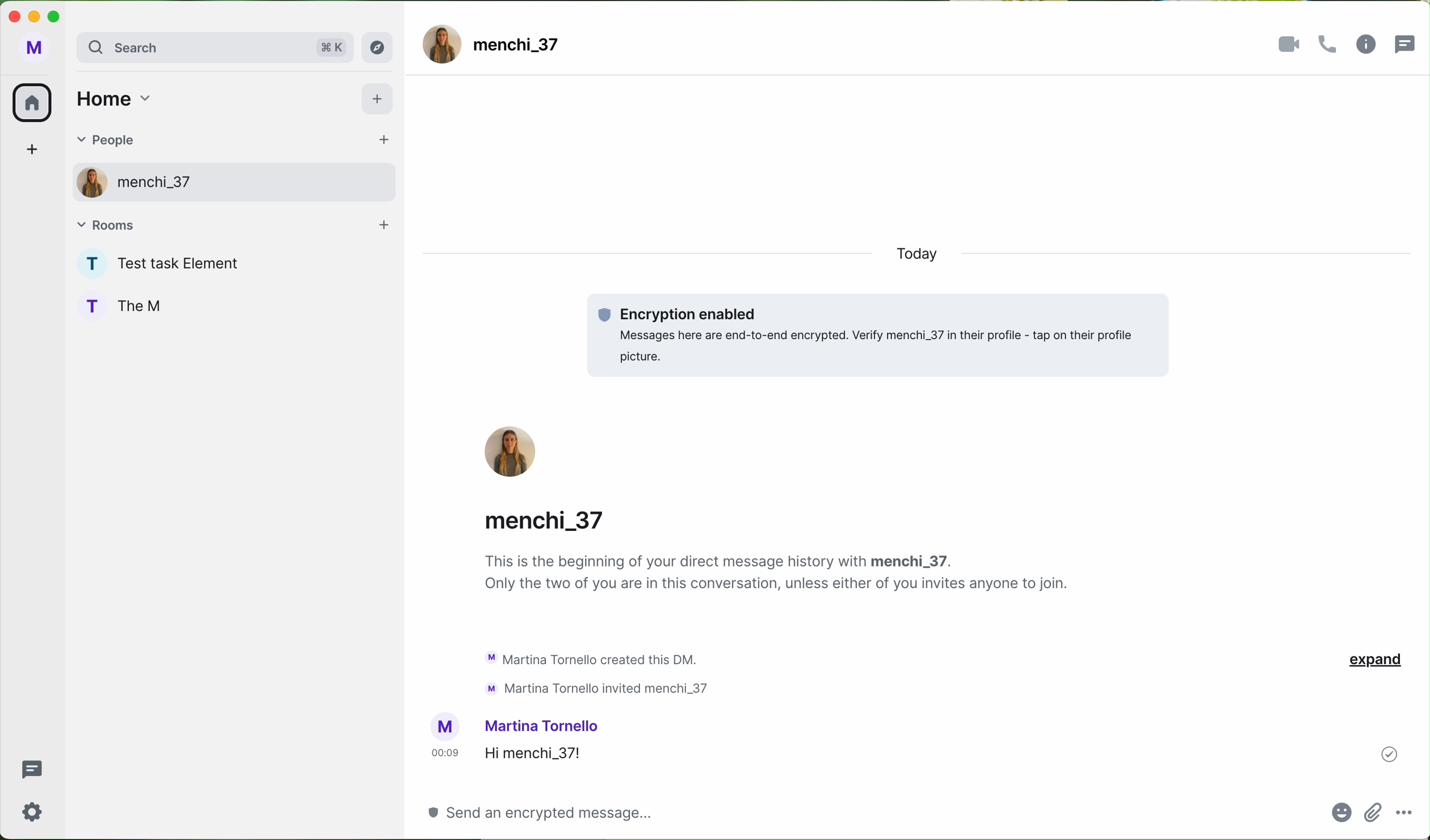  What do you see at coordinates (158, 185) in the screenshot?
I see `user` at bounding box center [158, 185].